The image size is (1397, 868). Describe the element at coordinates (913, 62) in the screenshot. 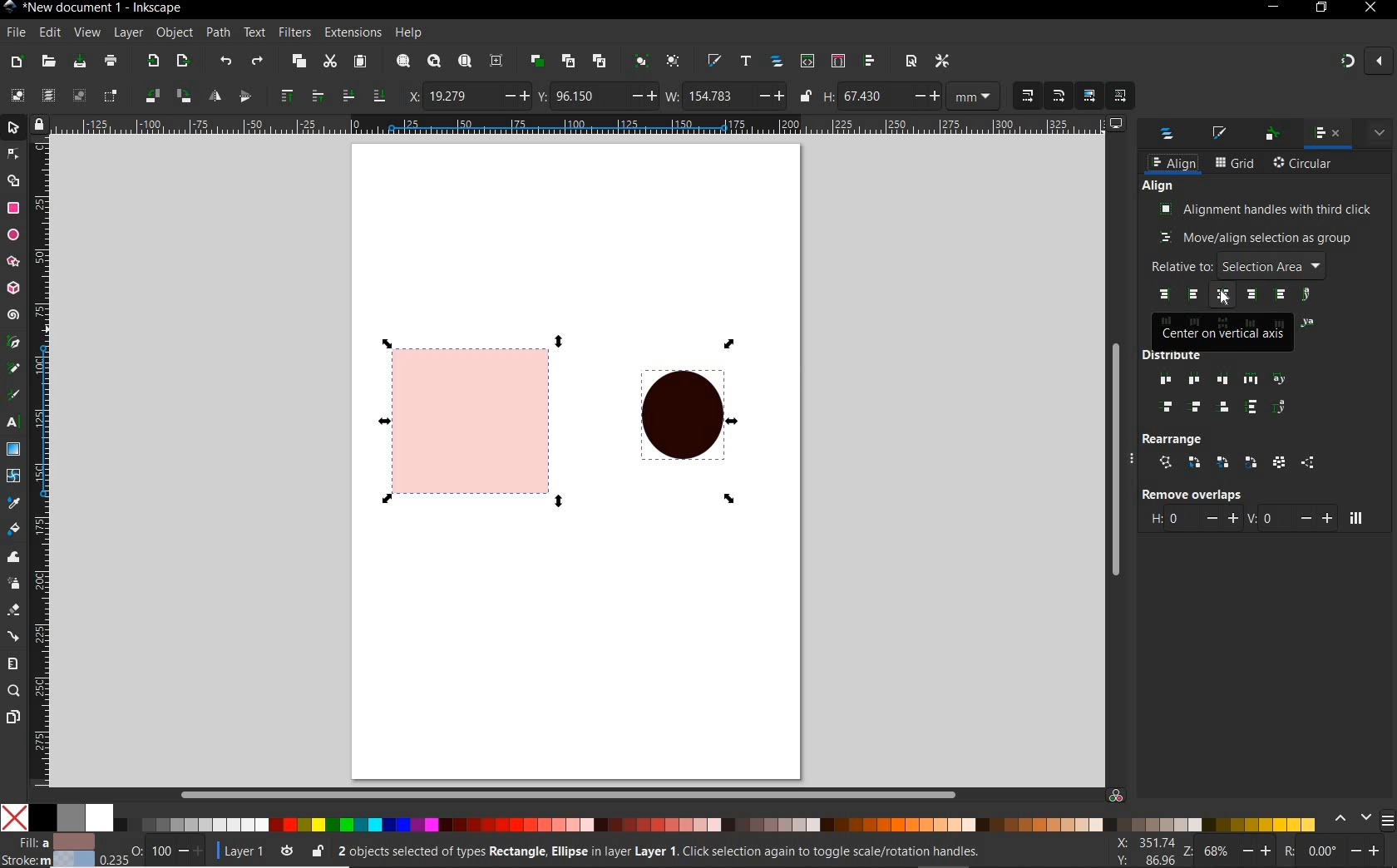

I see `open document proper` at that location.